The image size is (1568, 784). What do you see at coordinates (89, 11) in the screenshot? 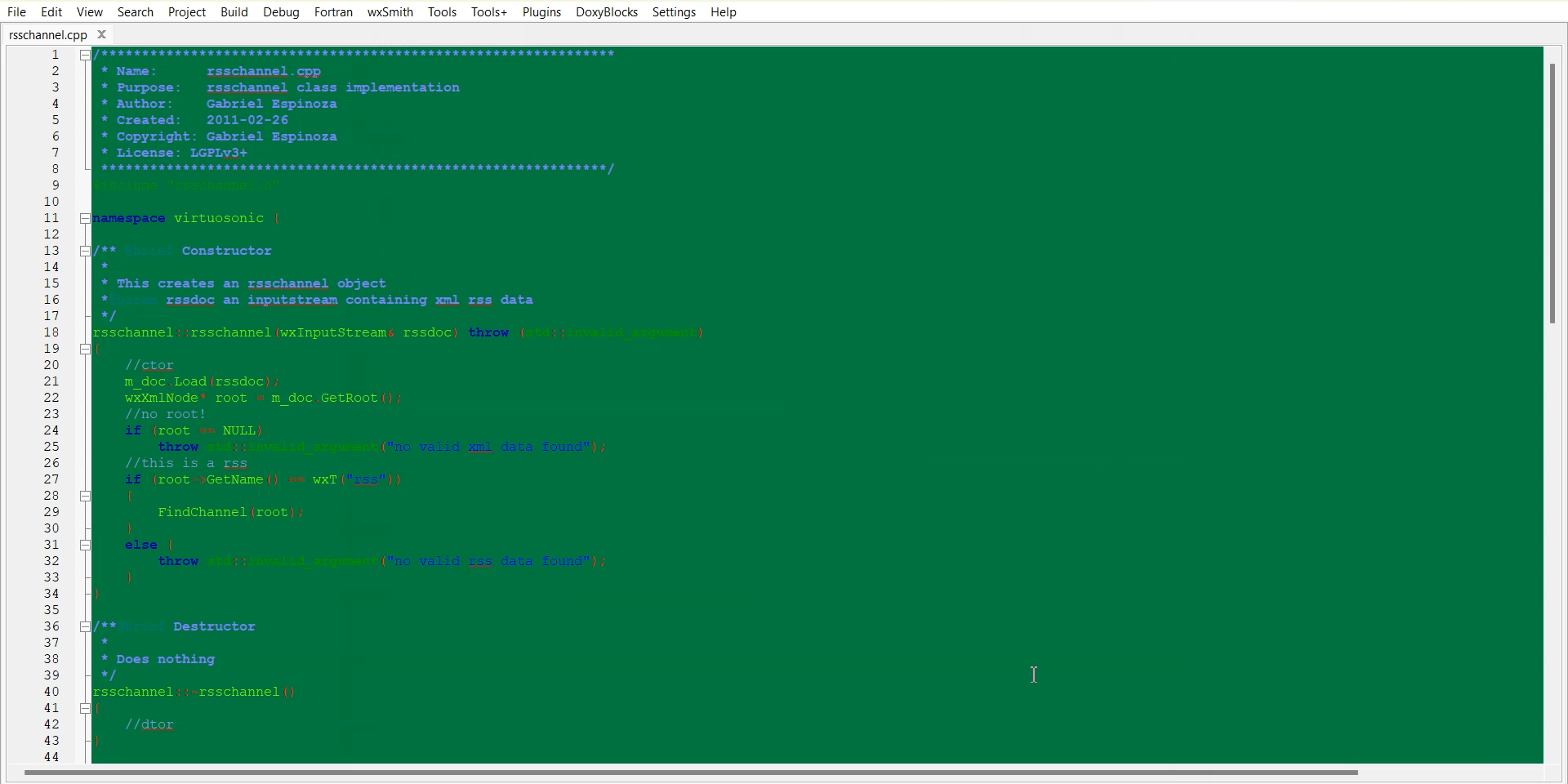
I see `View` at bounding box center [89, 11].